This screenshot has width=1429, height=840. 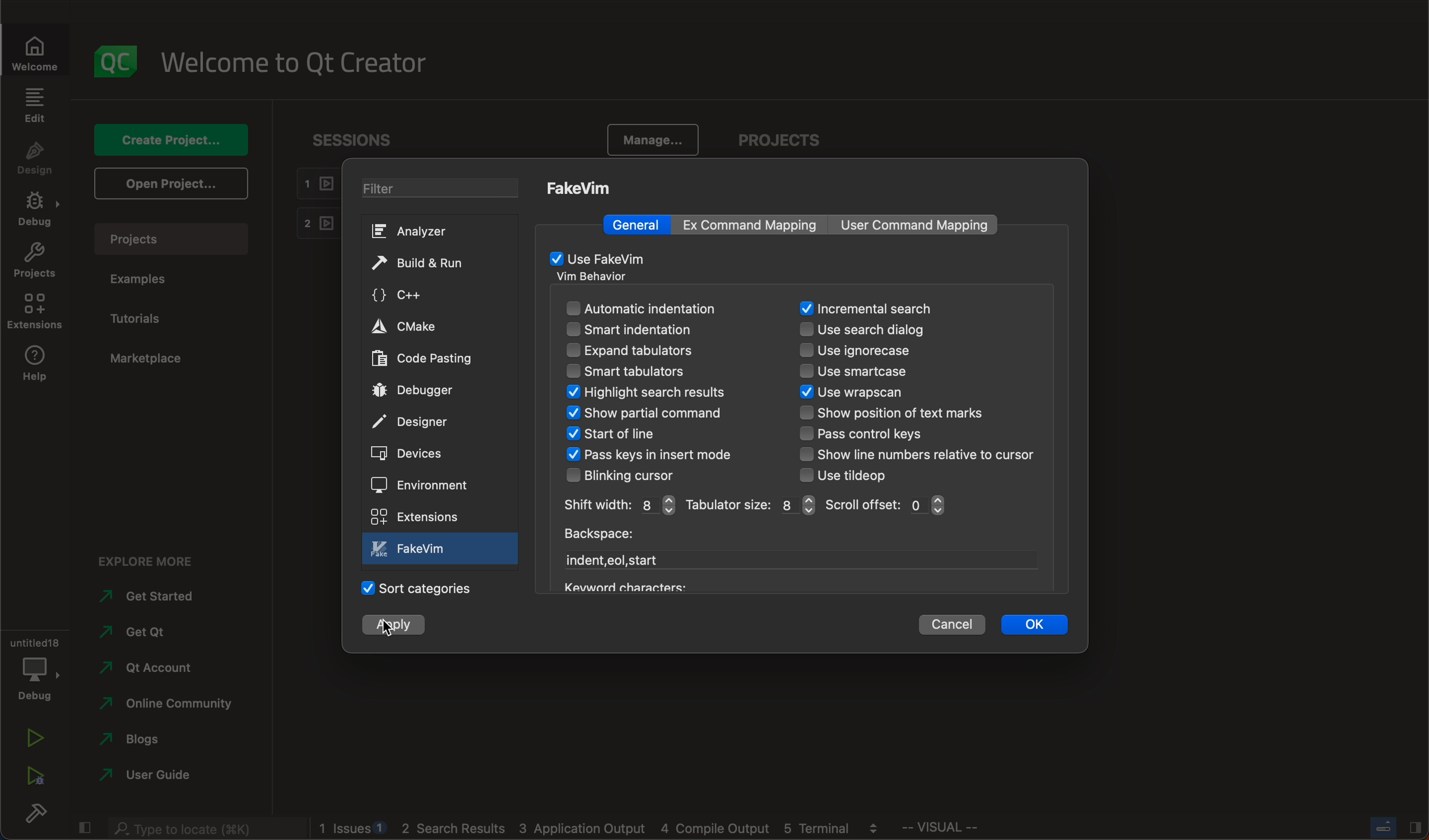 I want to click on welcome, so click(x=36, y=53).